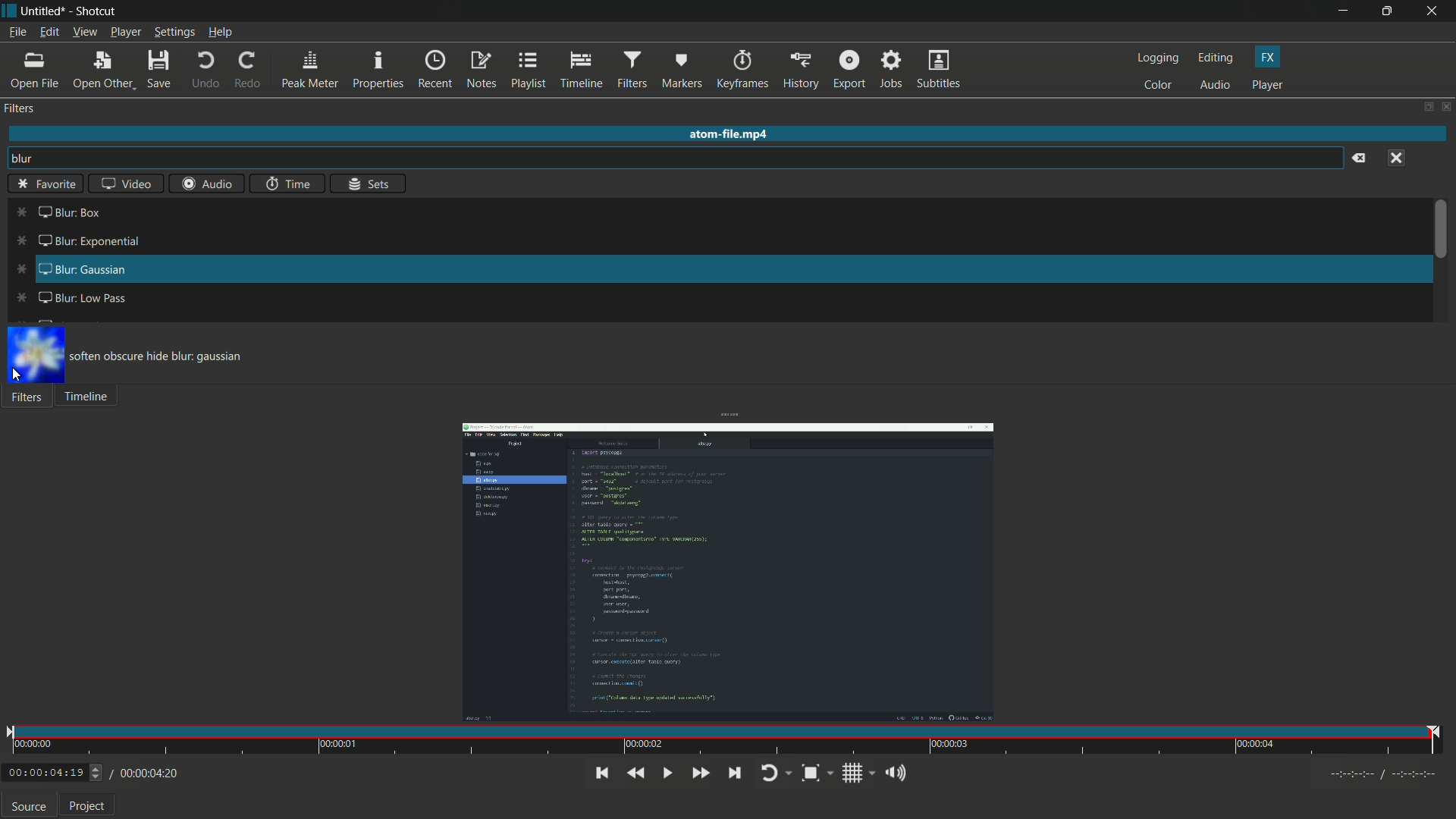 The width and height of the screenshot is (1456, 819). I want to click on logging, so click(1158, 58).